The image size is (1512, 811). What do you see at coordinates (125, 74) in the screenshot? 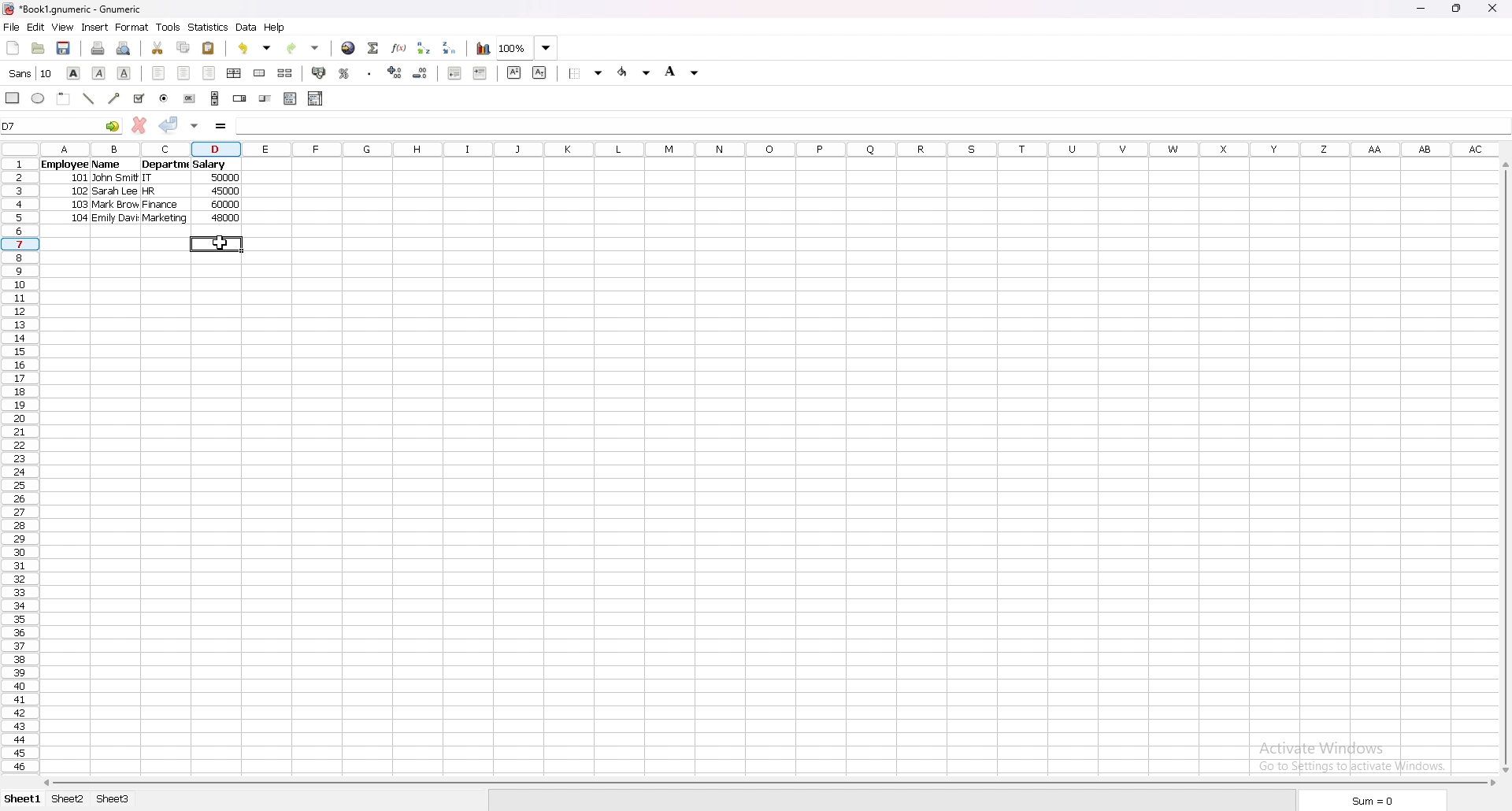
I see `underline` at bounding box center [125, 74].